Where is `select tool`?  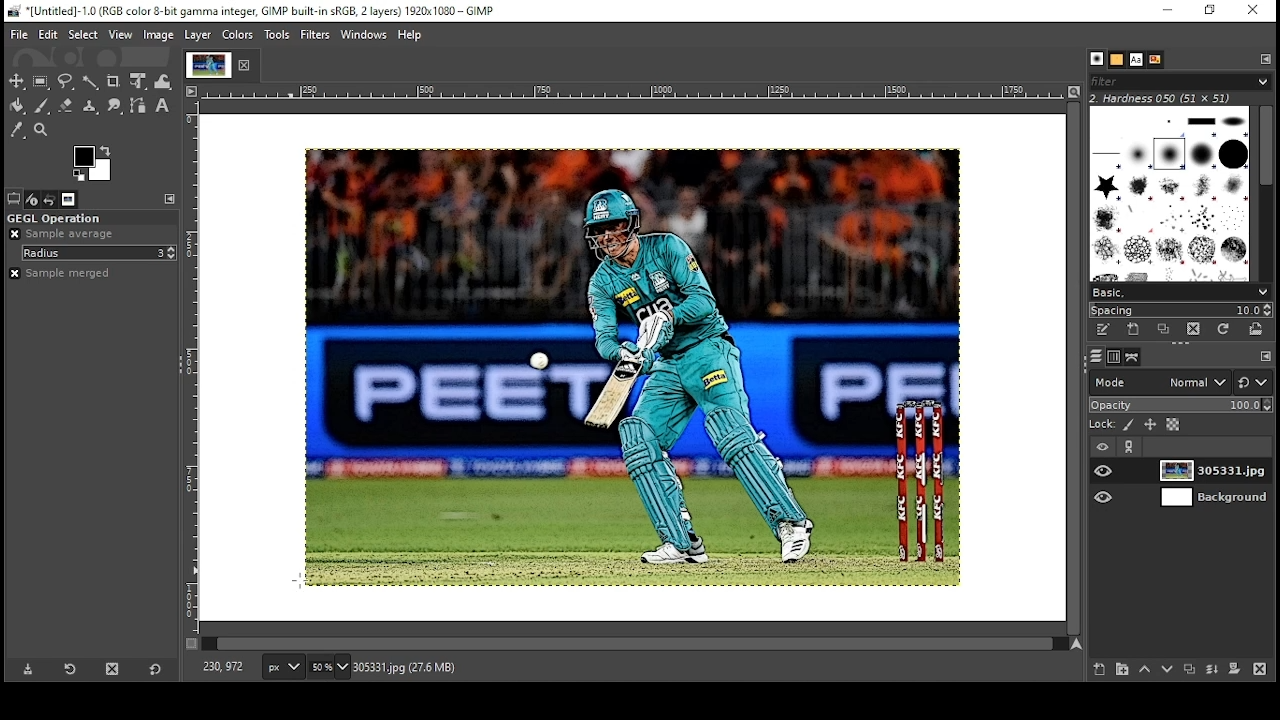
select tool is located at coordinates (17, 81).